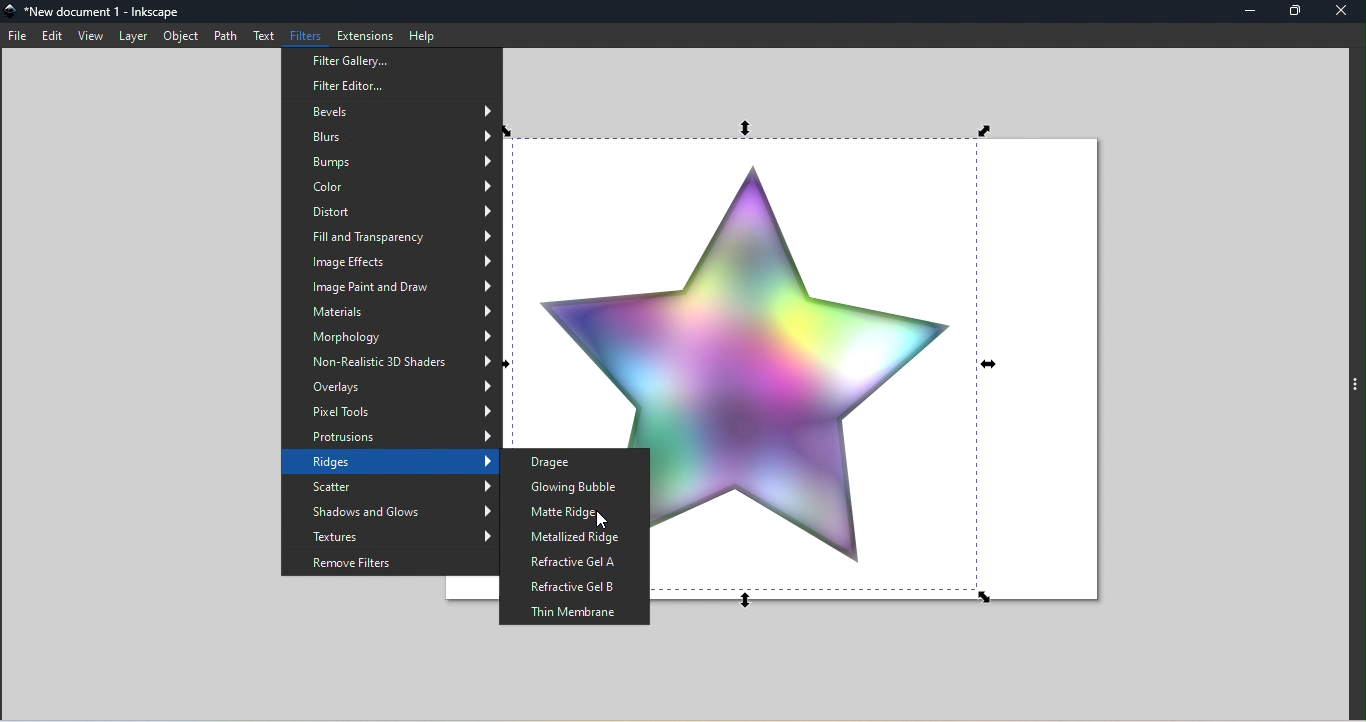 The height and width of the screenshot is (722, 1366). What do you see at coordinates (573, 462) in the screenshot?
I see `Dragee` at bounding box center [573, 462].